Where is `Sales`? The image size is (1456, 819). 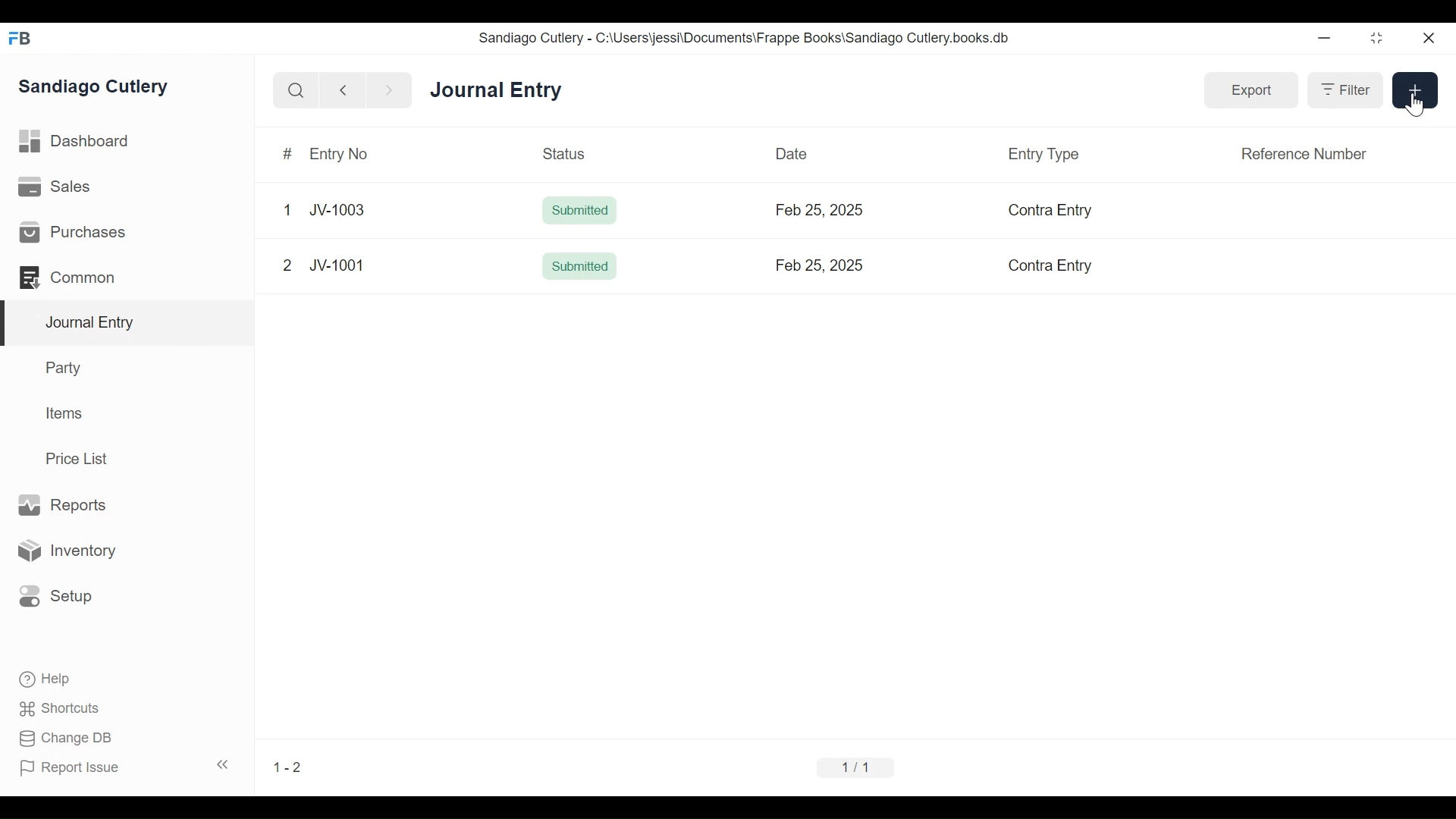 Sales is located at coordinates (55, 186).